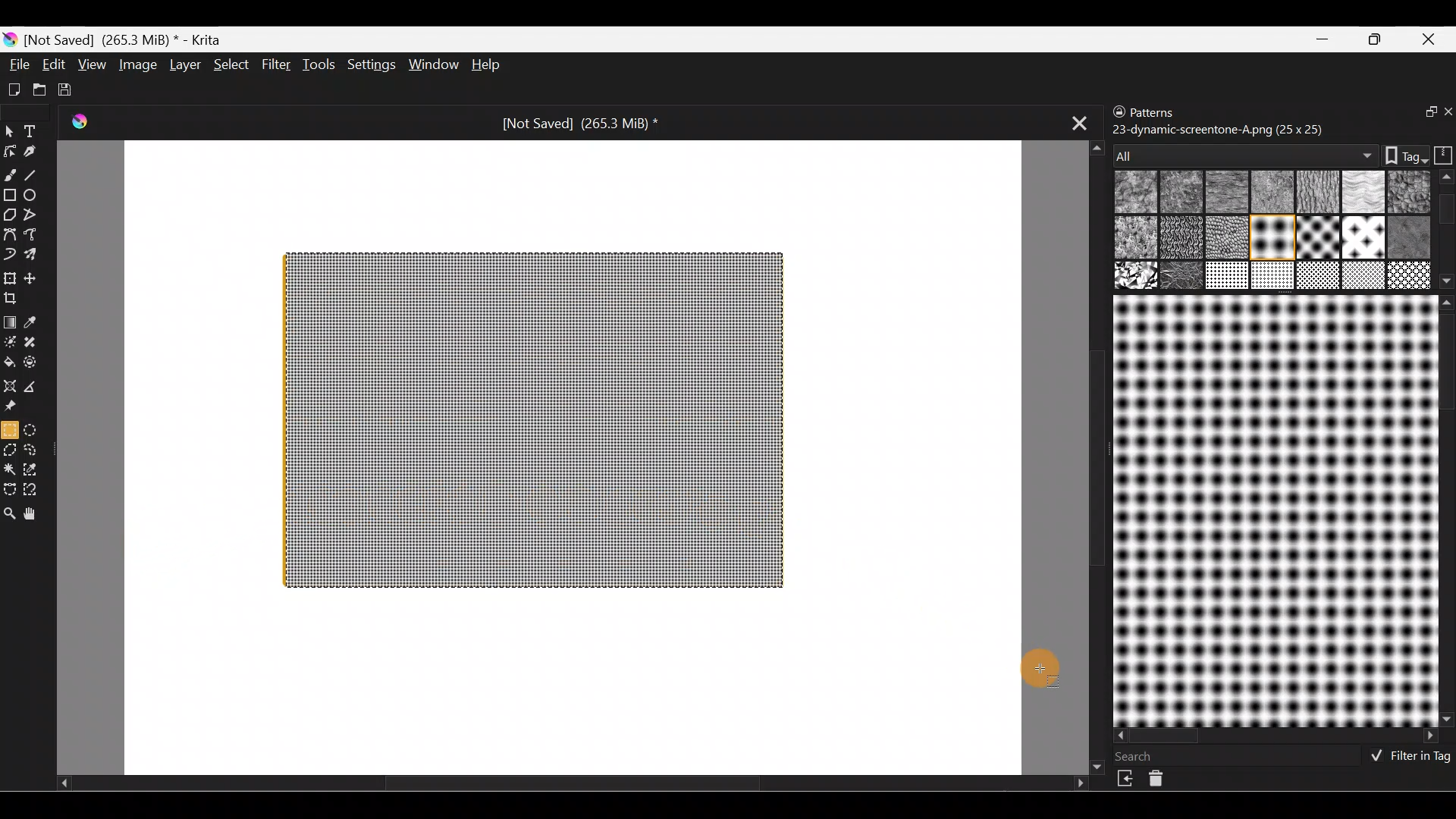  I want to click on Freehand path tool, so click(33, 234).